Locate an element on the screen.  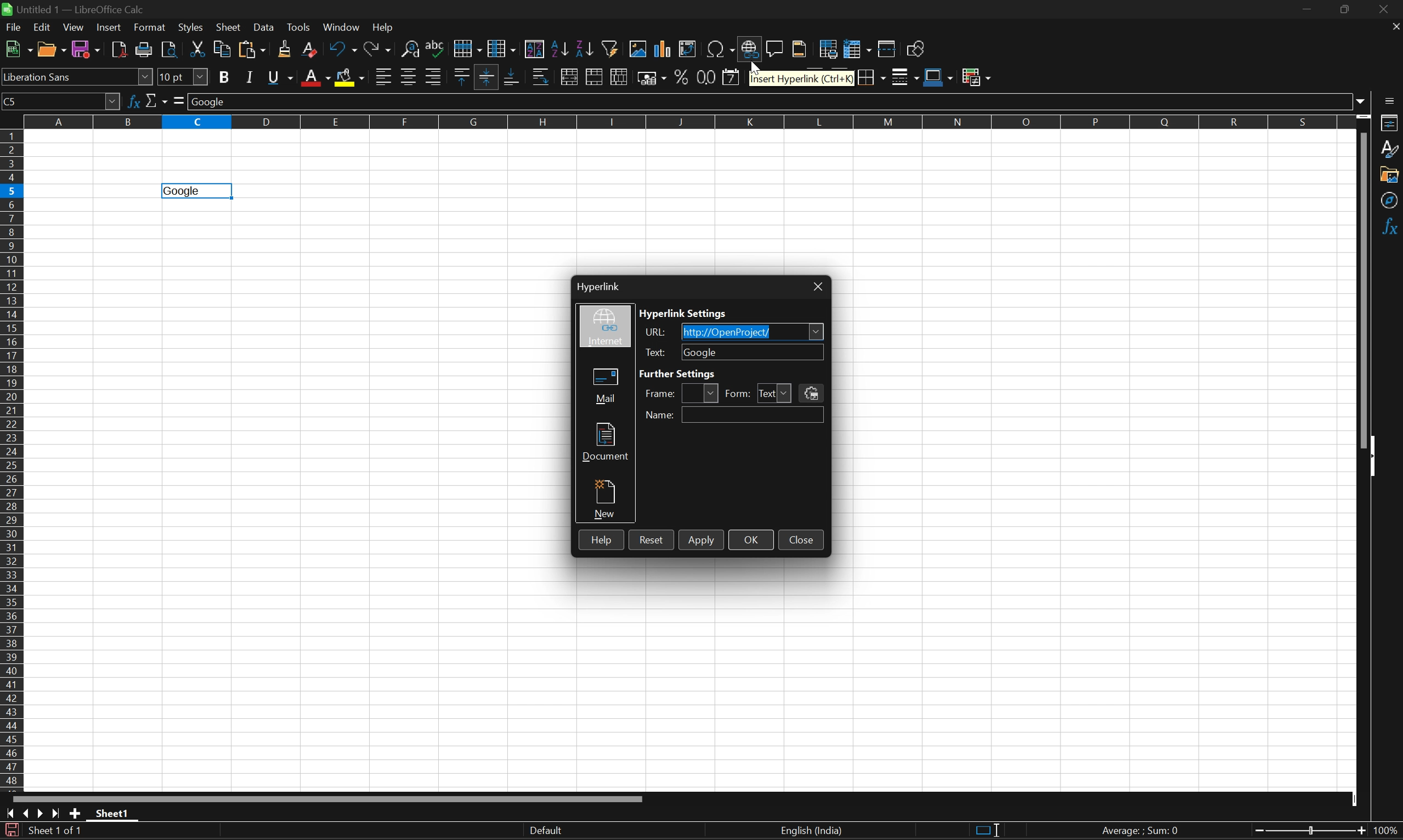
Drop down is located at coordinates (816, 331).